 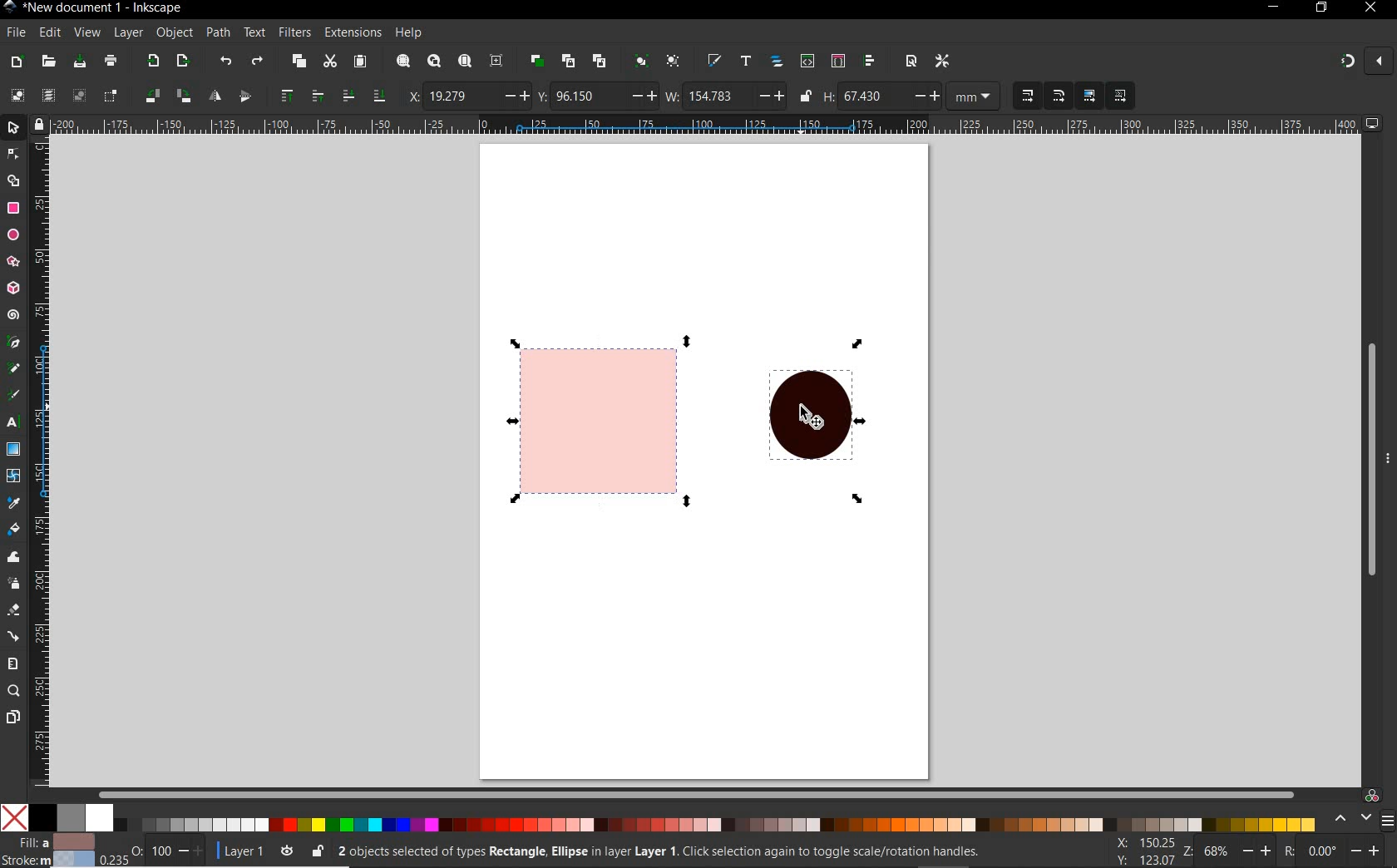 What do you see at coordinates (837, 61) in the screenshot?
I see `open selector` at bounding box center [837, 61].